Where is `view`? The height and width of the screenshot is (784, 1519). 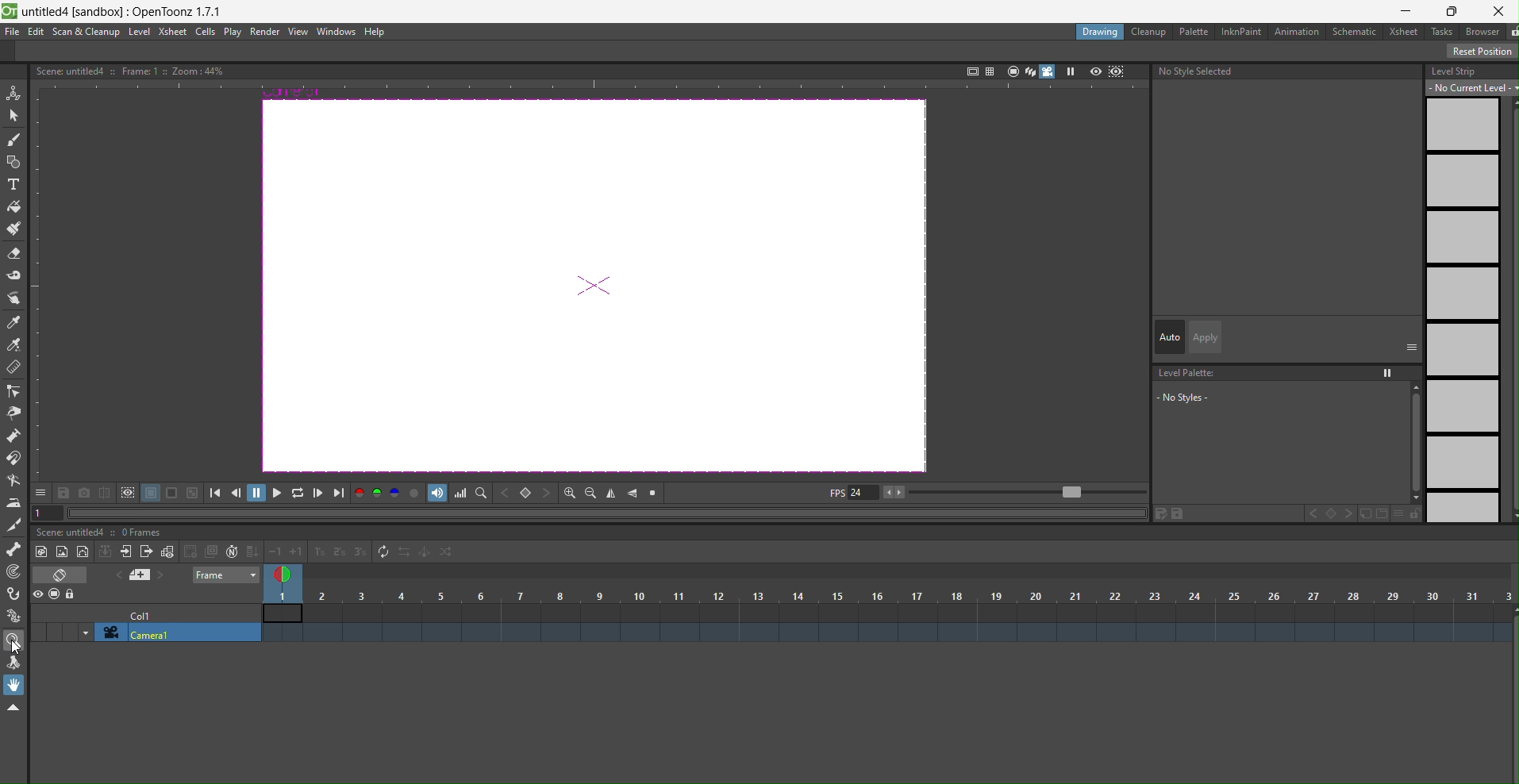
view is located at coordinates (298, 32).